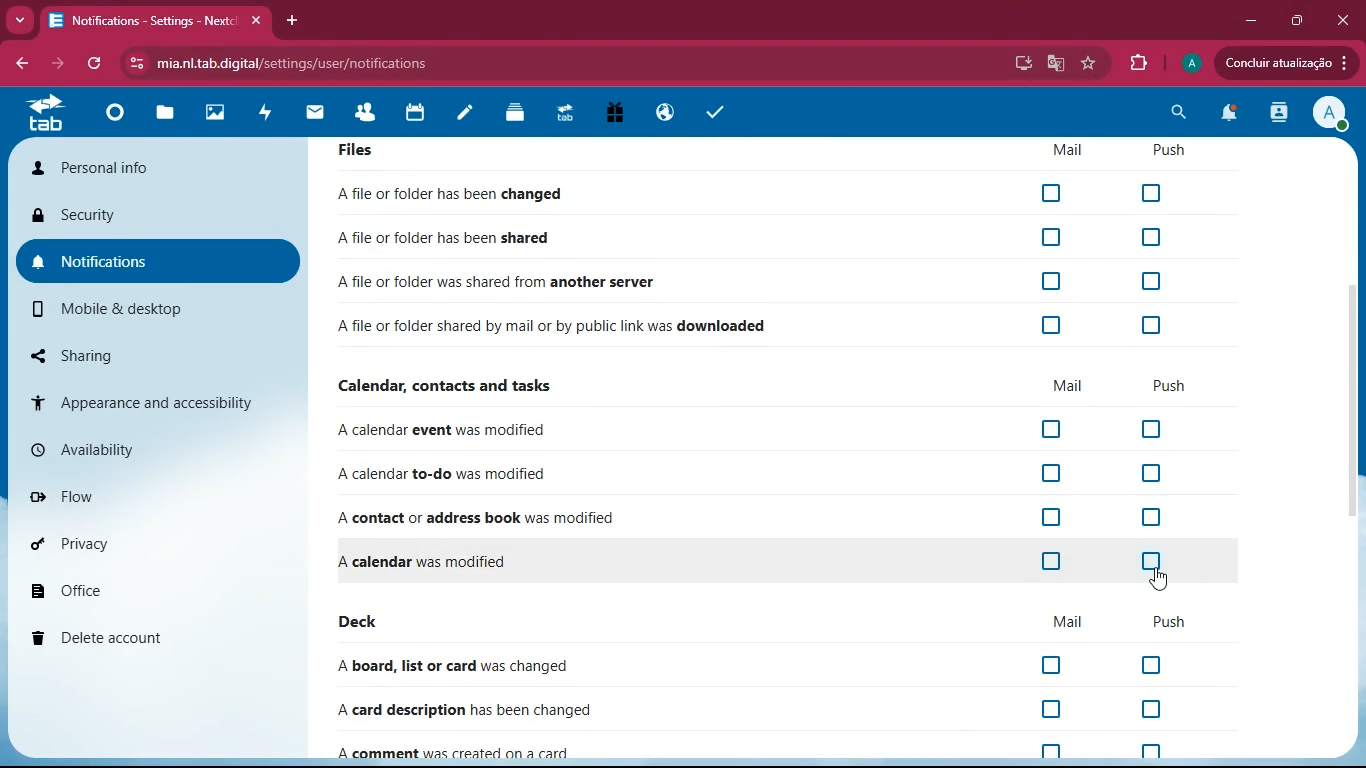 The height and width of the screenshot is (768, 1366). Describe the element at coordinates (1229, 116) in the screenshot. I see `notifications` at that location.